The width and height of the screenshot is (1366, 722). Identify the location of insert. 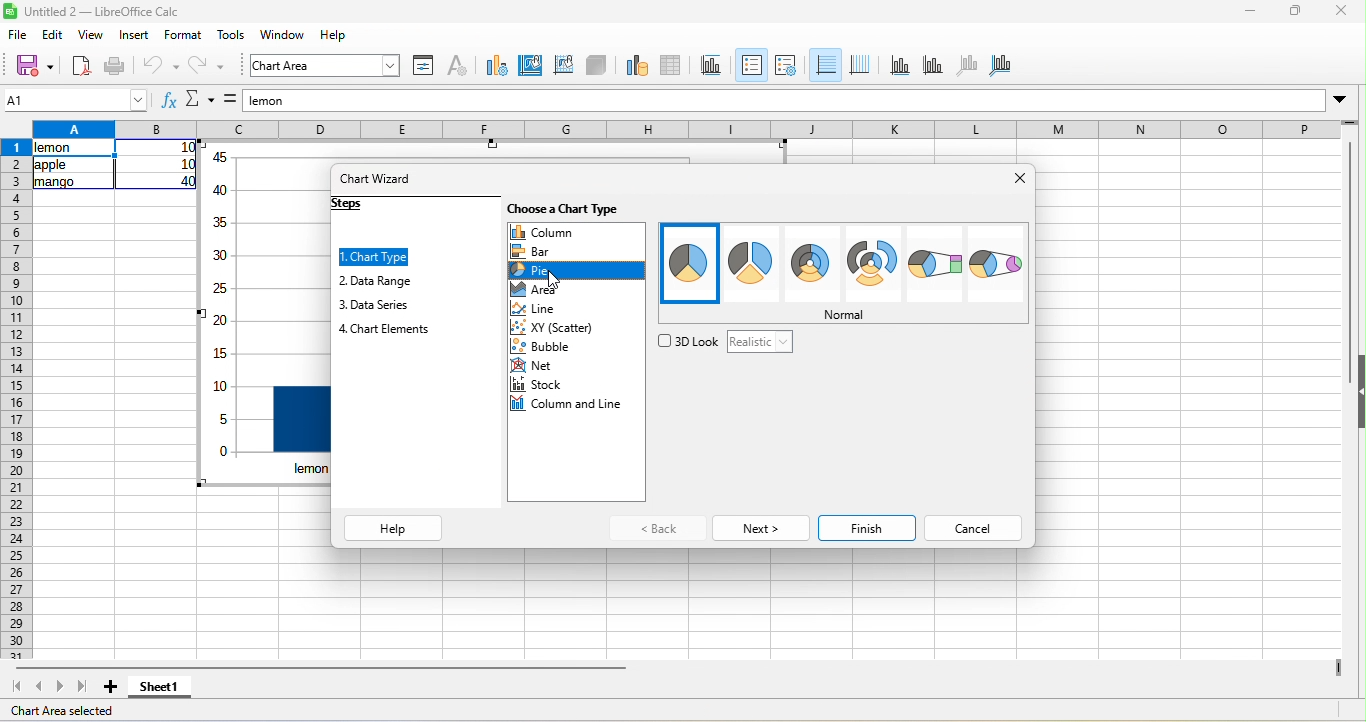
(138, 37).